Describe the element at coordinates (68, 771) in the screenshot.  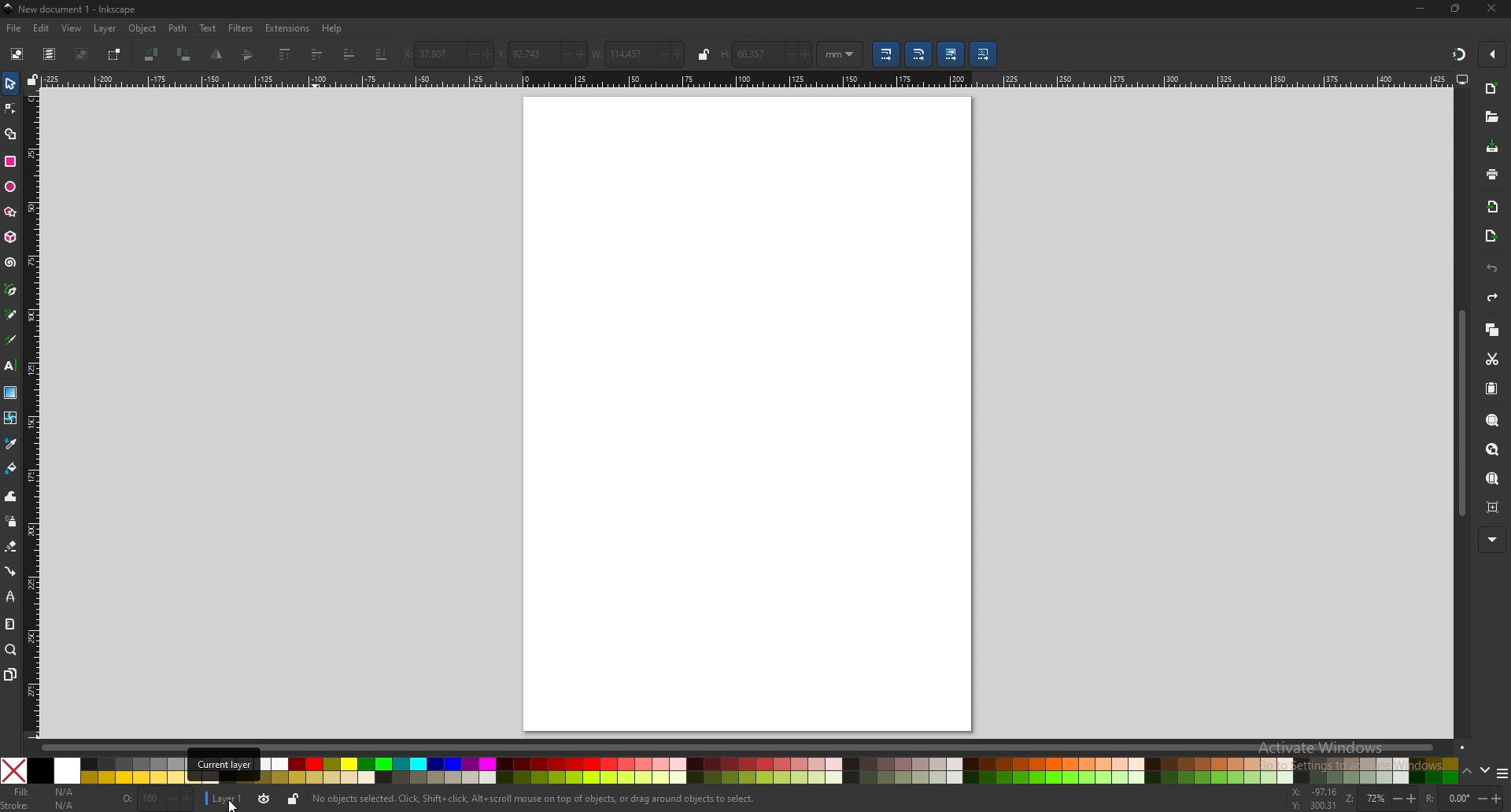
I see `white` at that location.